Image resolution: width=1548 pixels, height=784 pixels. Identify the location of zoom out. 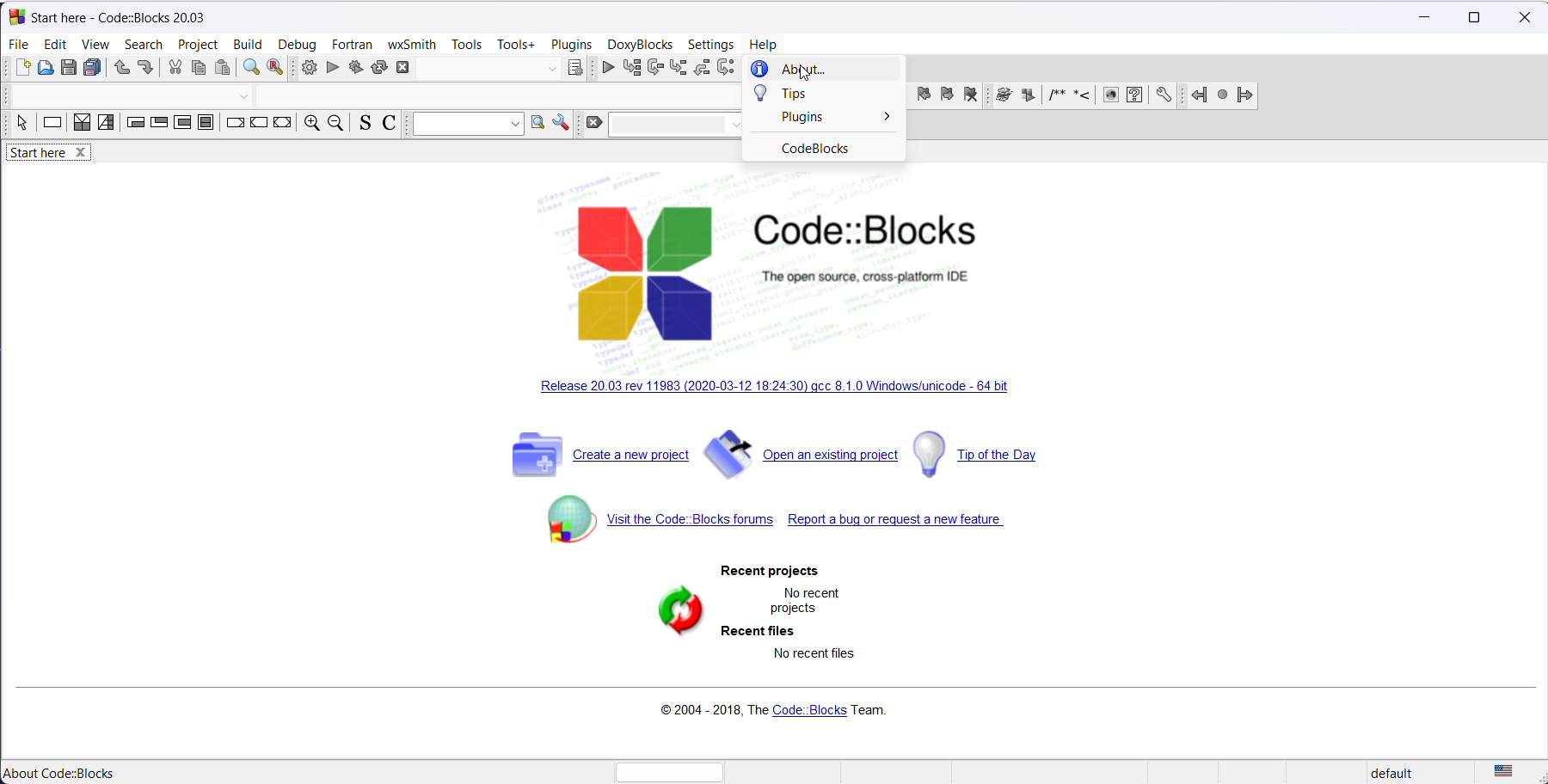
(336, 125).